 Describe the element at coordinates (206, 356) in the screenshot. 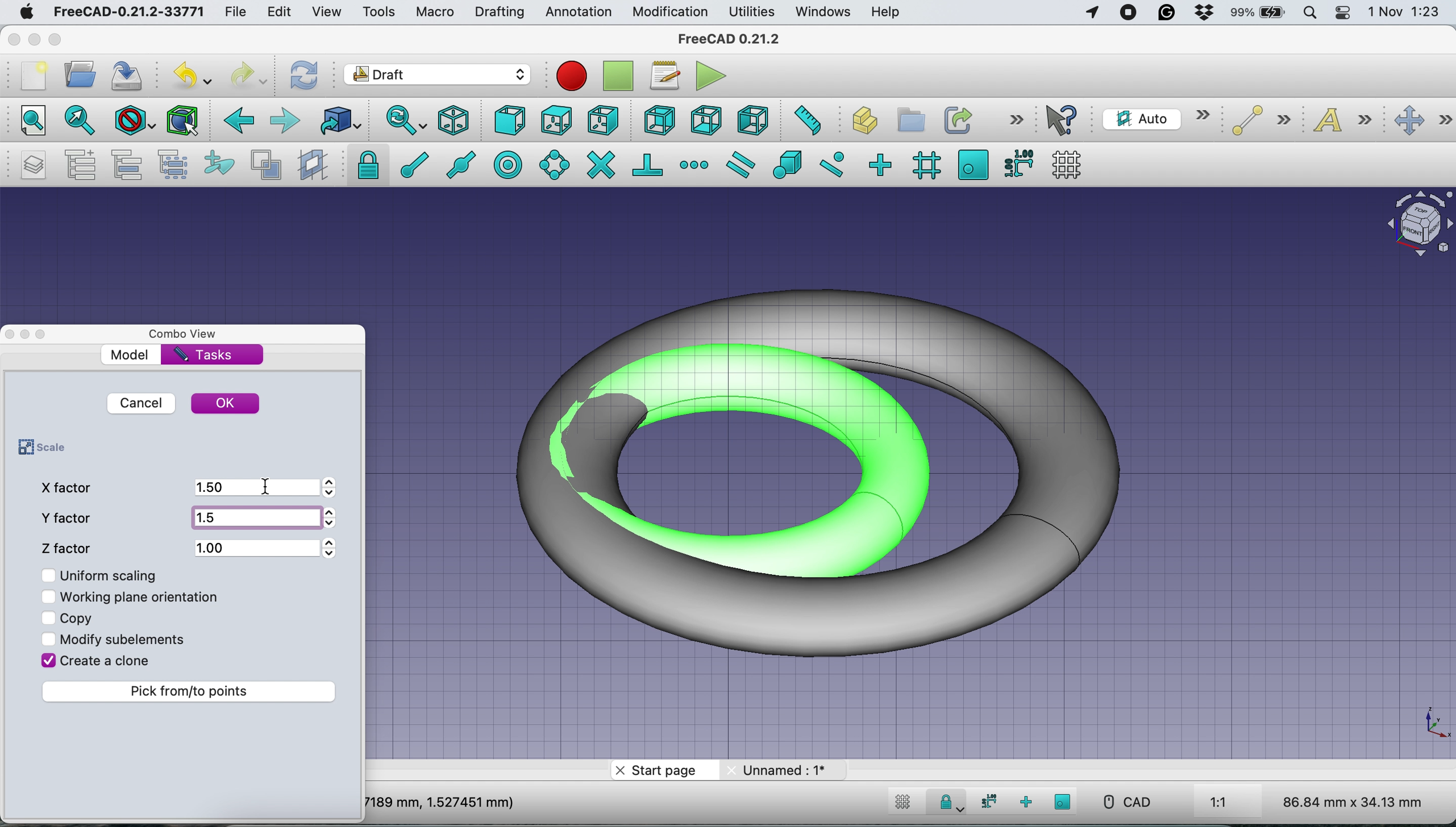

I see `tasks` at that location.